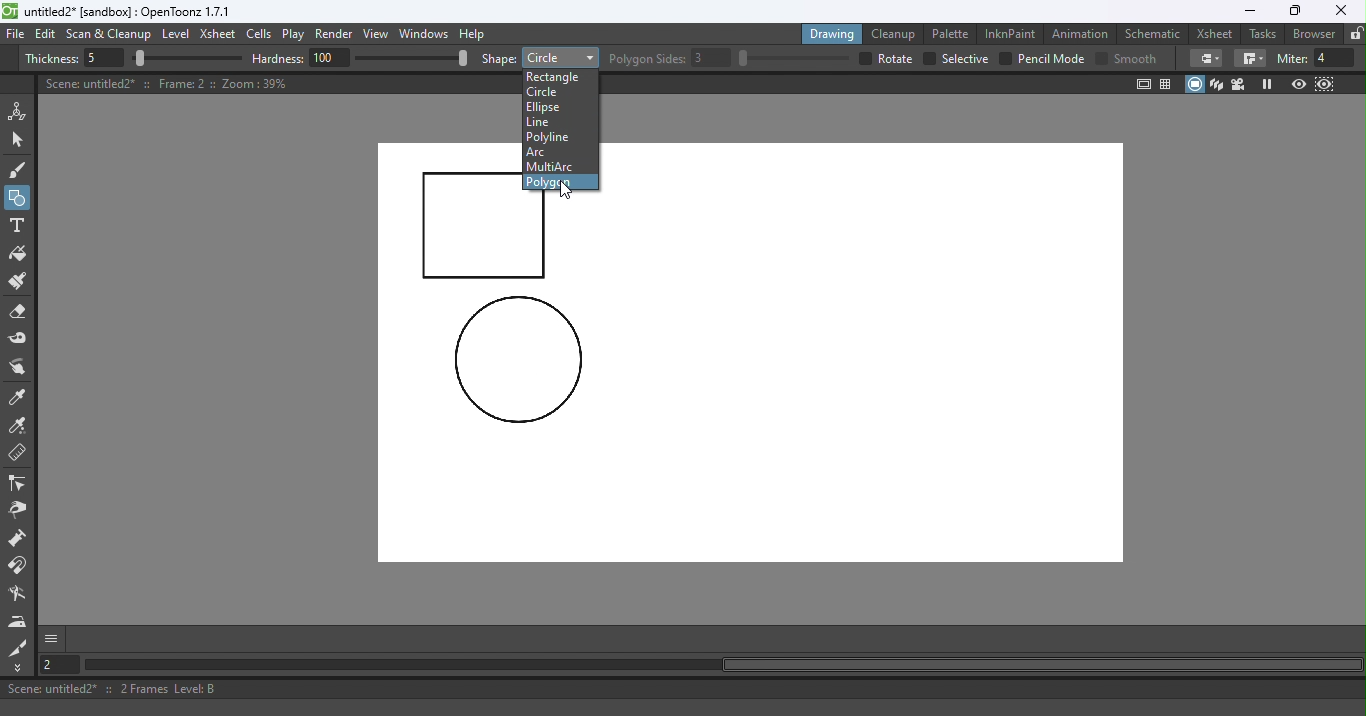  What do you see at coordinates (1249, 11) in the screenshot?
I see `Minimize` at bounding box center [1249, 11].